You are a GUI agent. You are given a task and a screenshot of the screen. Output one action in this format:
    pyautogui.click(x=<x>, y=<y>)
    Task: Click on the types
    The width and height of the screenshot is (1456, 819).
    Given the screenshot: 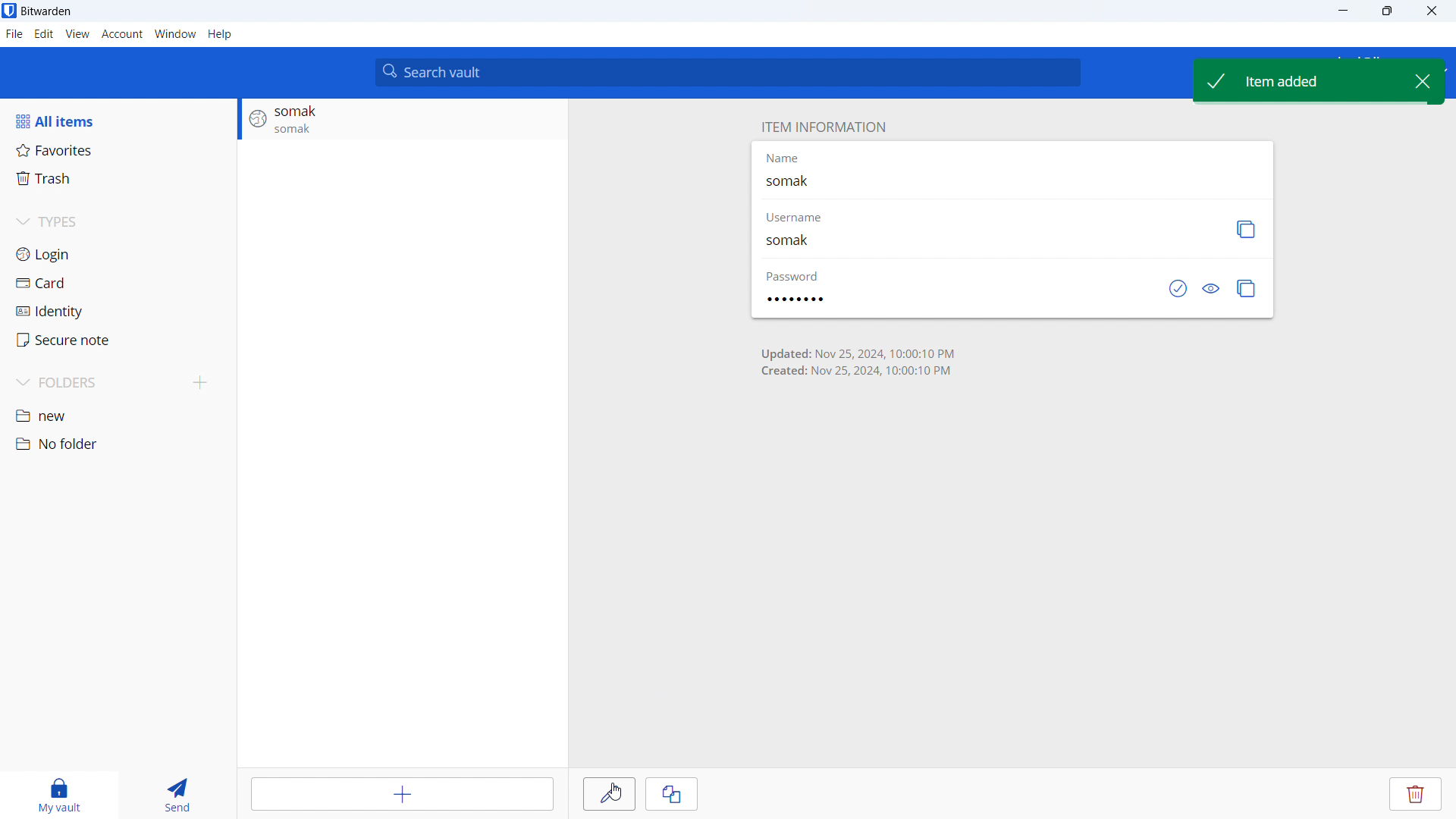 What is the action you would take?
    pyautogui.click(x=117, y=224)
    